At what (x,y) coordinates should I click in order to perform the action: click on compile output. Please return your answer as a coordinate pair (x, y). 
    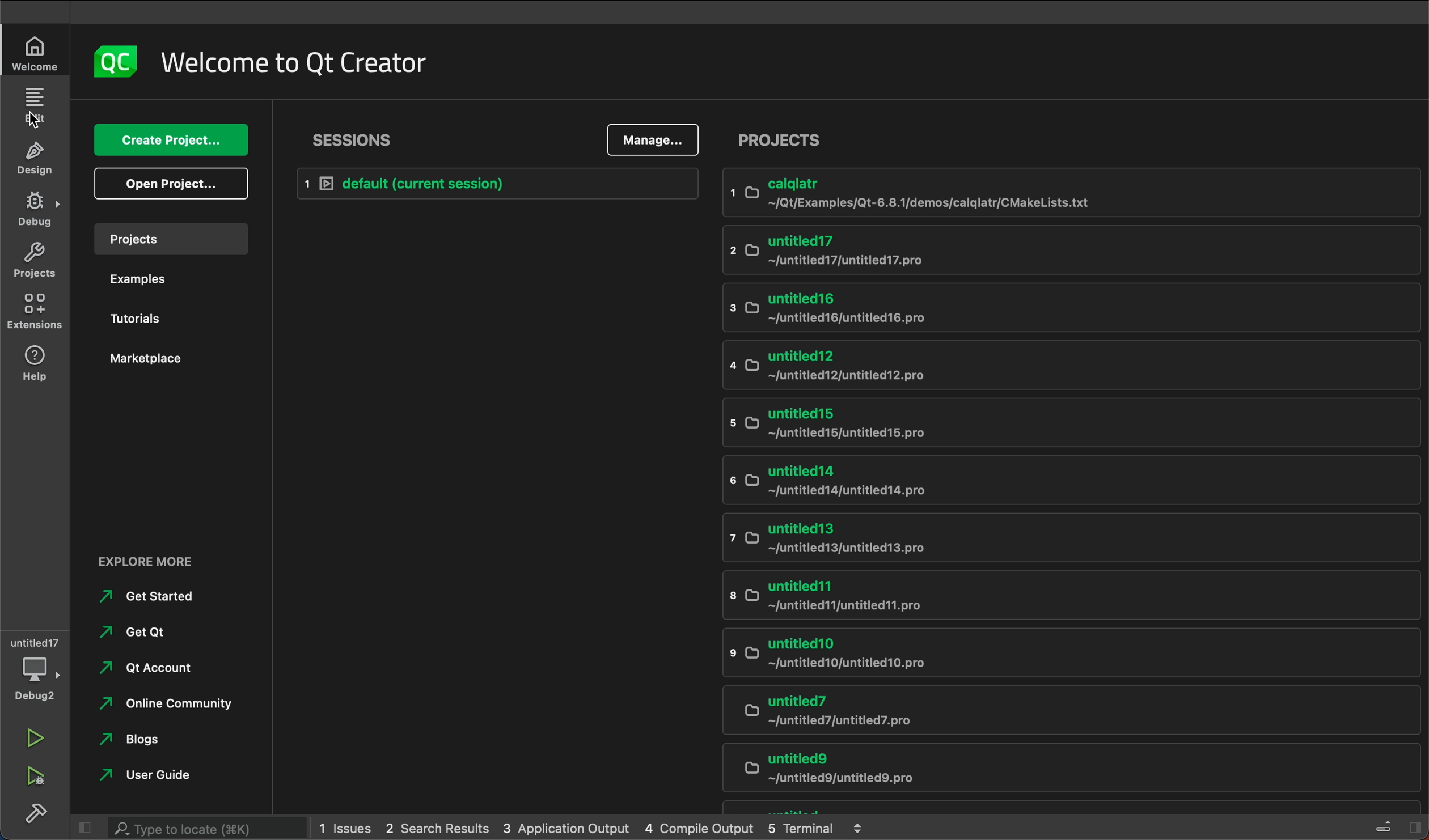
    Looking at the image, I should click on (701, 826).